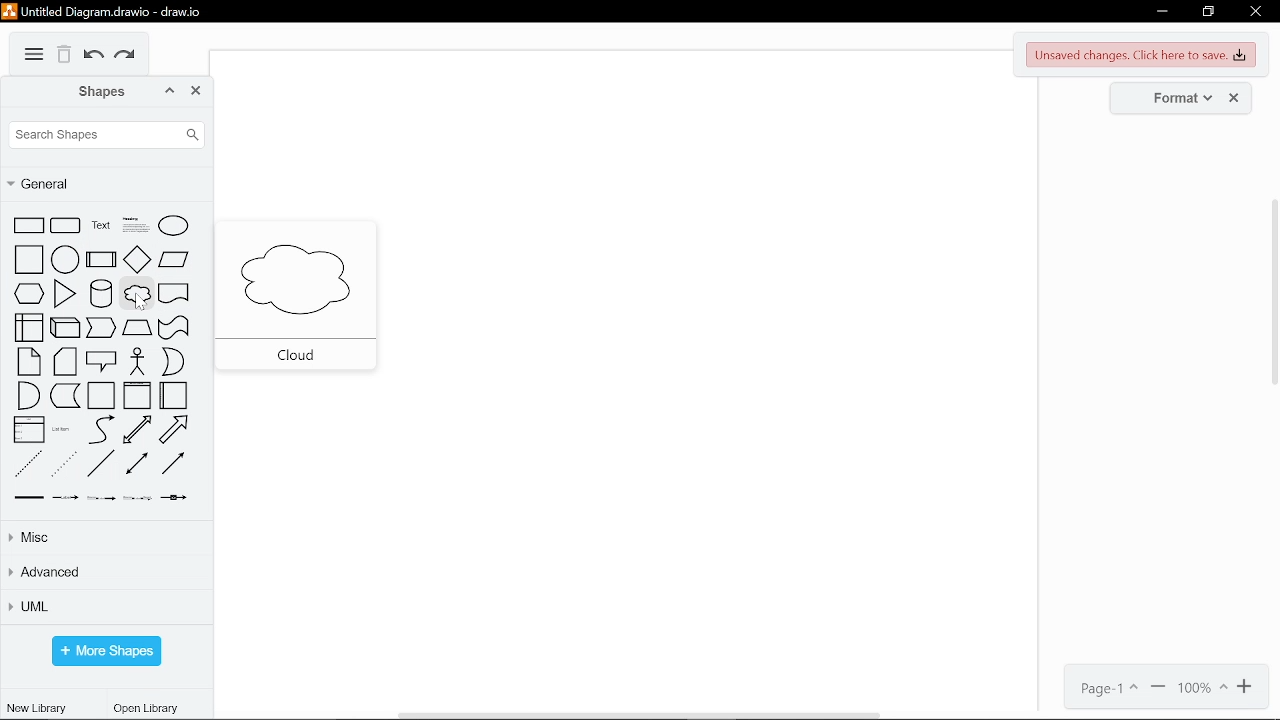 The height and width of the screenshot is (720, 1280). I want to click on close, so click(1234, 97).